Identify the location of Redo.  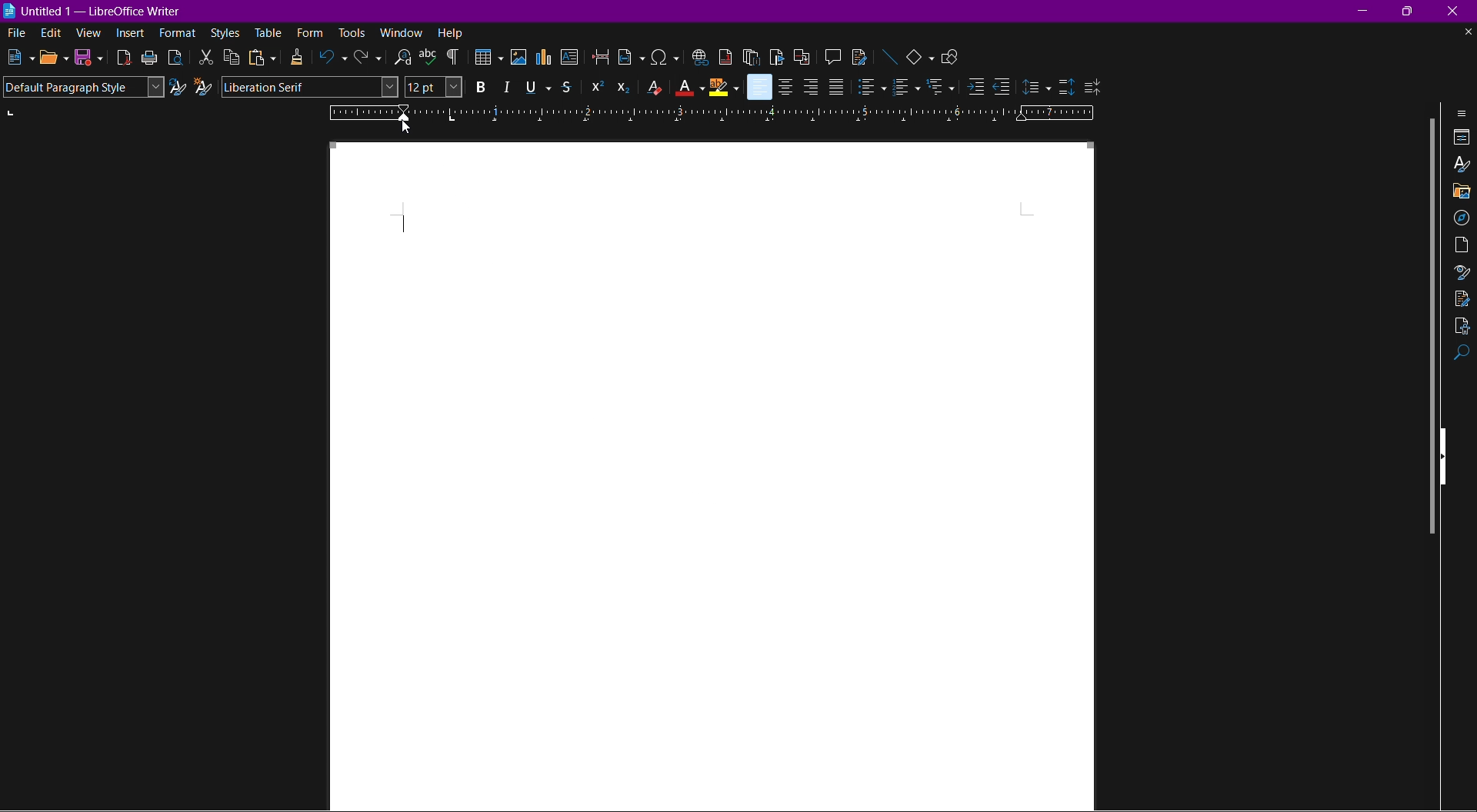
(367, 59).